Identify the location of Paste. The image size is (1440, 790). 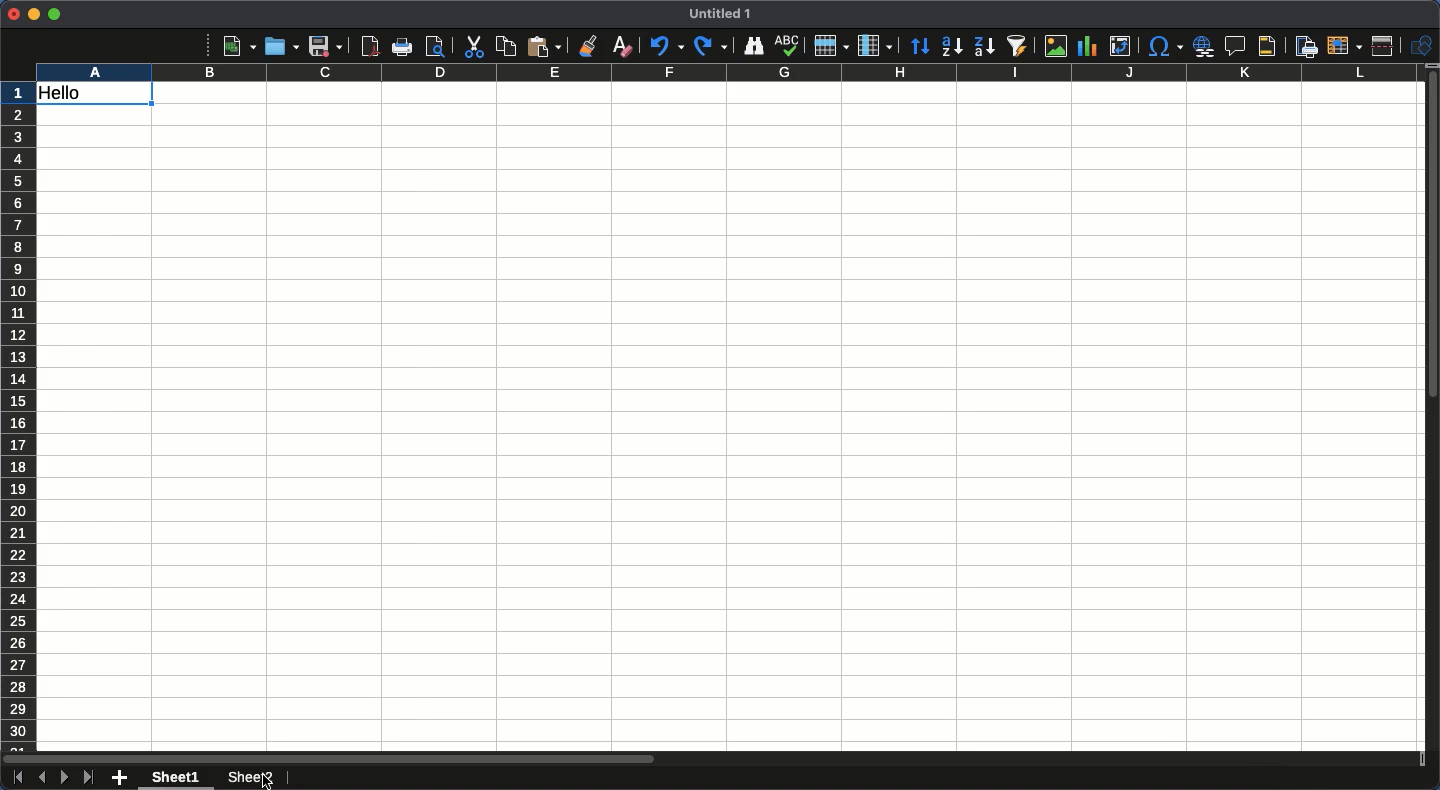
(544, 46).